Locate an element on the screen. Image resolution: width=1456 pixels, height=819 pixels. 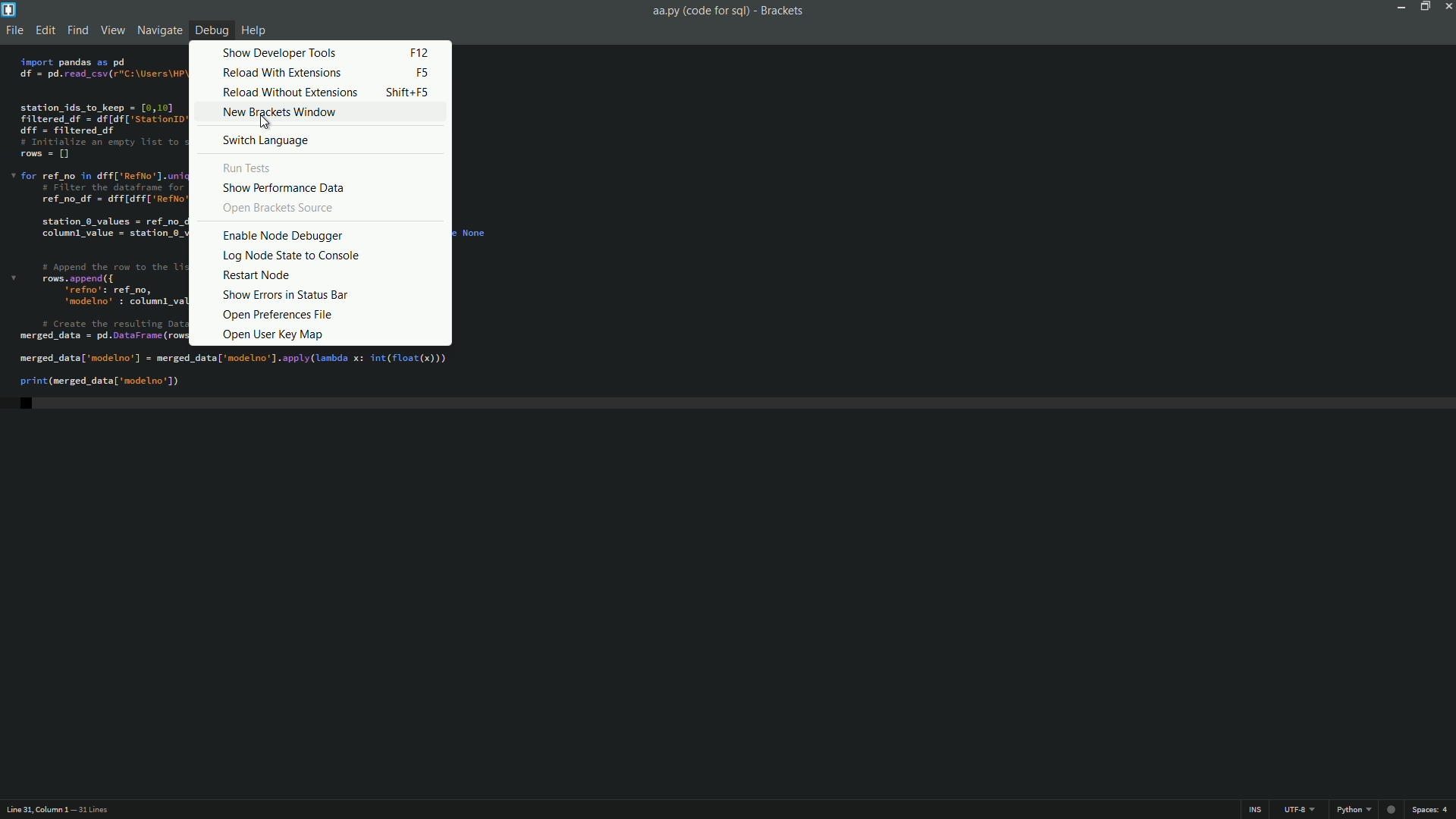
File name is located at coordinates (730, 11).